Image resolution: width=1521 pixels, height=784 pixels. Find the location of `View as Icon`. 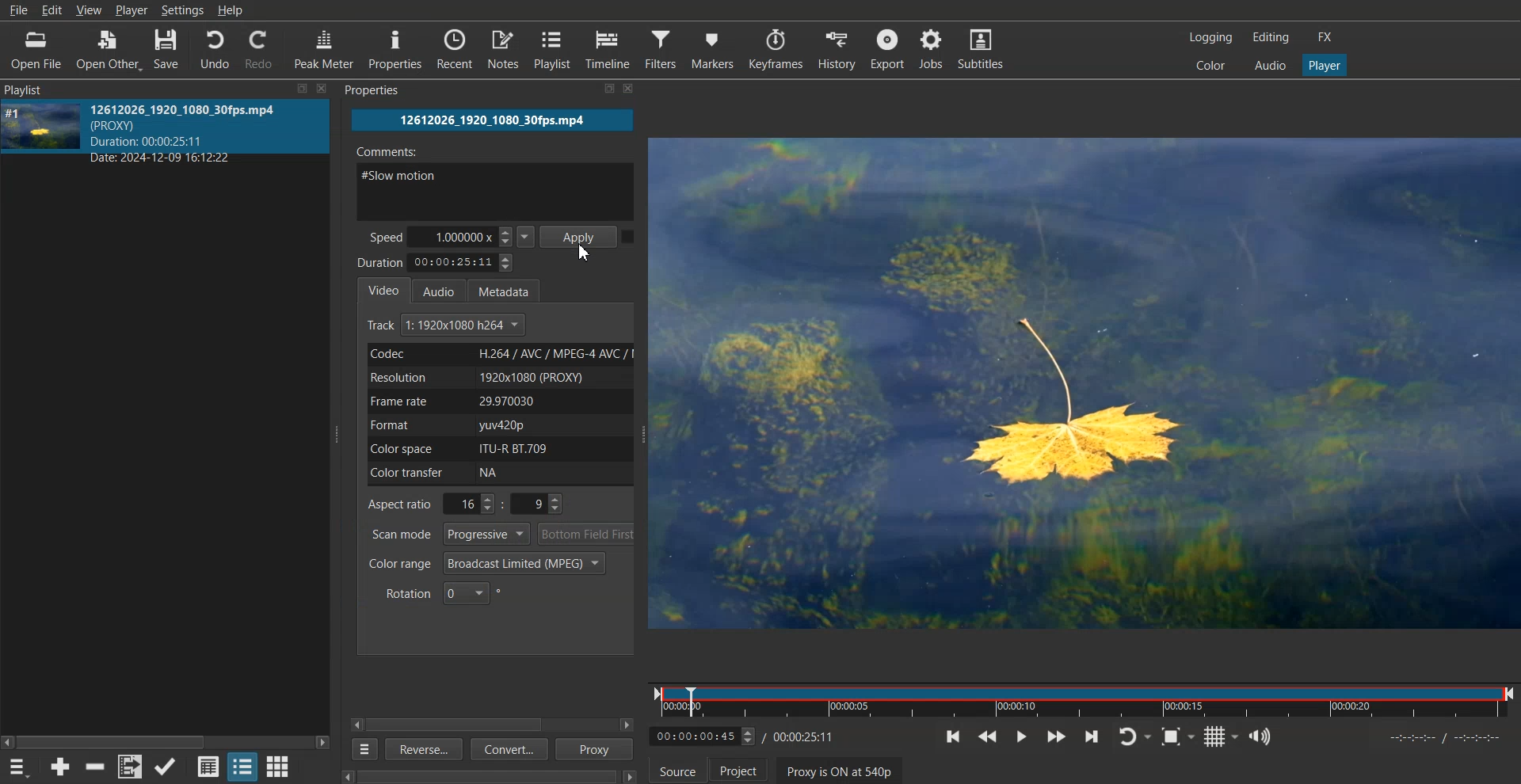

View as Icon is located at coordinates (279, 766).